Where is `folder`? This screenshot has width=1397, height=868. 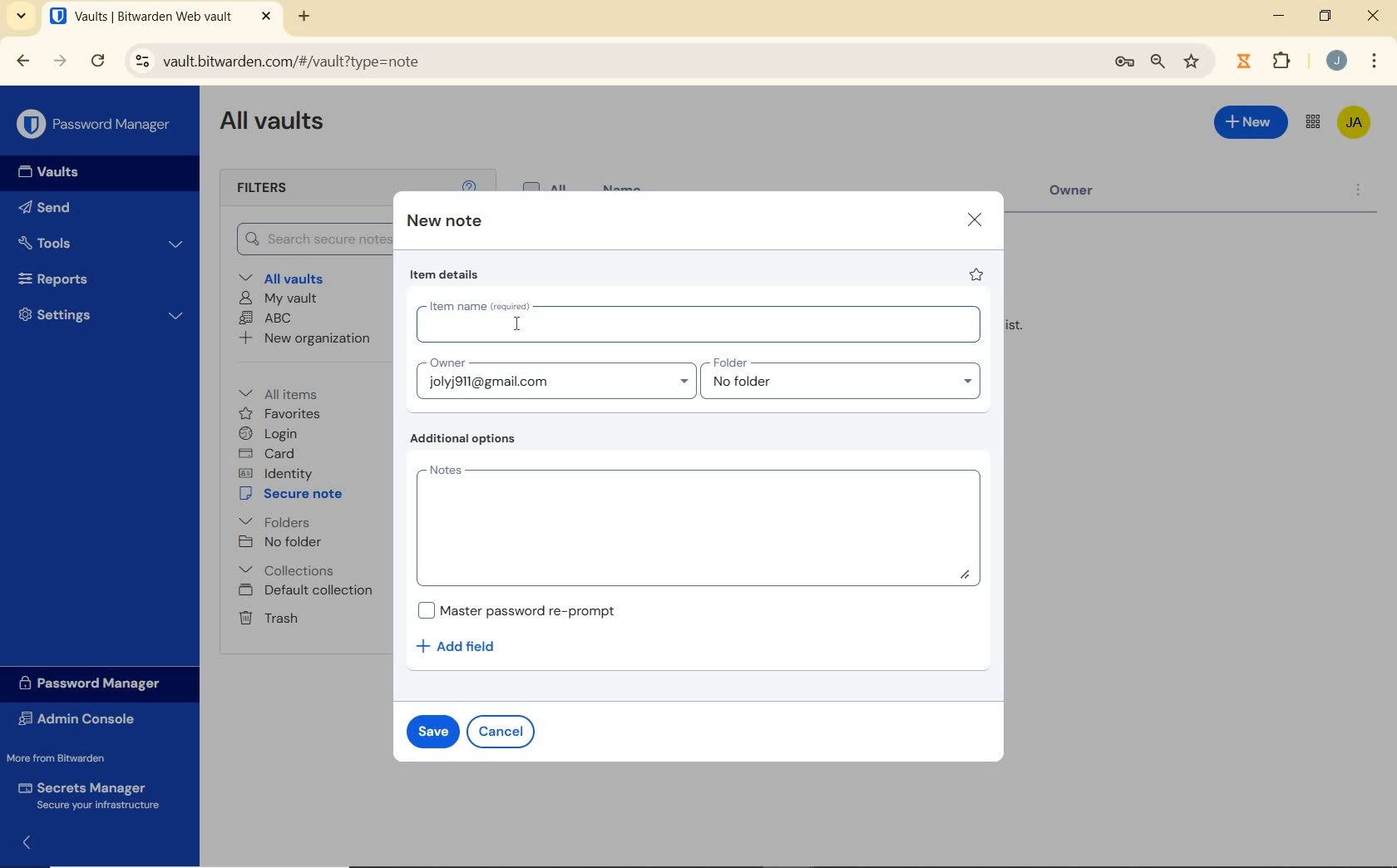 folder is located at coordinates (842, 378).